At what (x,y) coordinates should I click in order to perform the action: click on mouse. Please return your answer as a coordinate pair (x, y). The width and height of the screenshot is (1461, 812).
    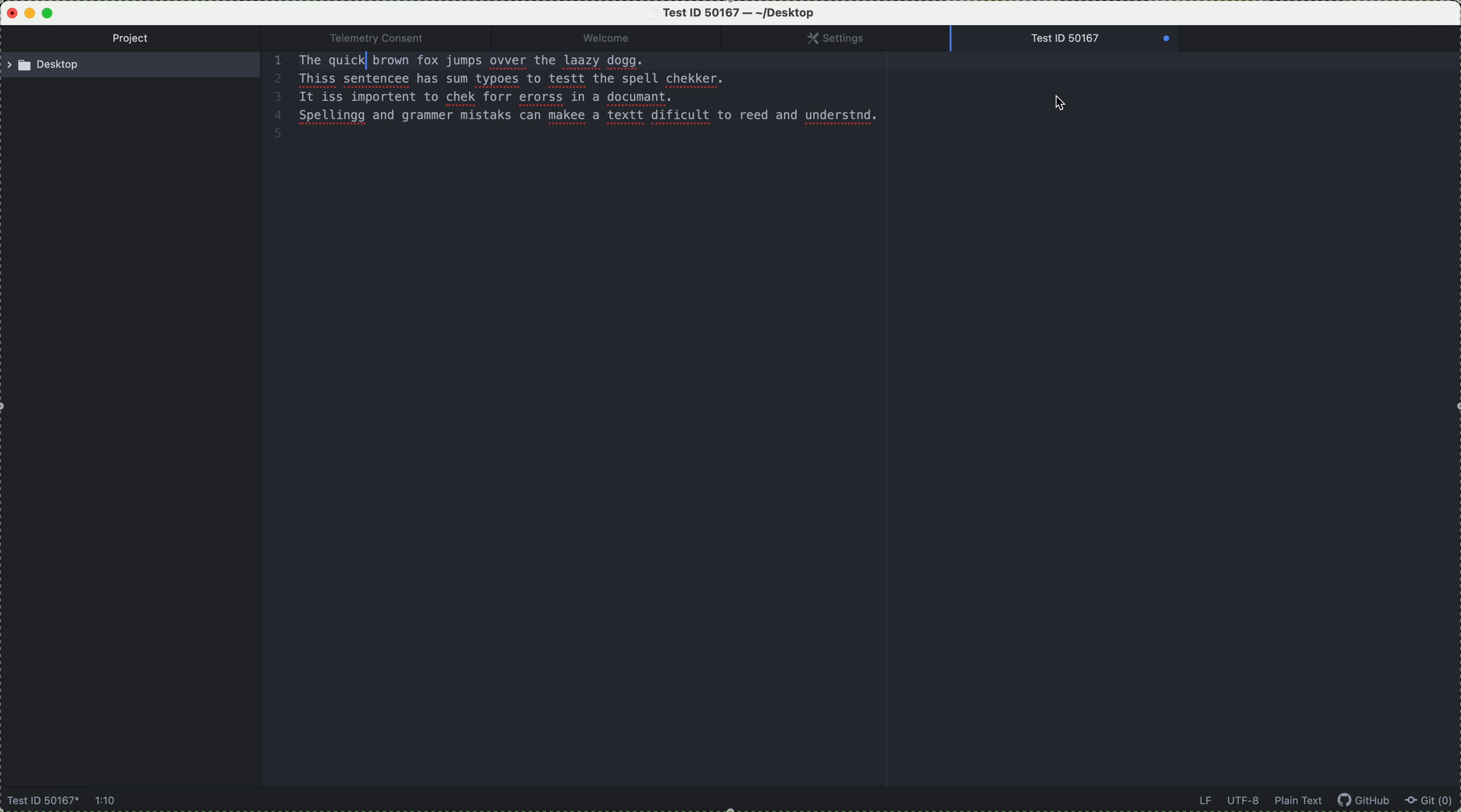
    Looking at the image, I should click on (1063, 103).